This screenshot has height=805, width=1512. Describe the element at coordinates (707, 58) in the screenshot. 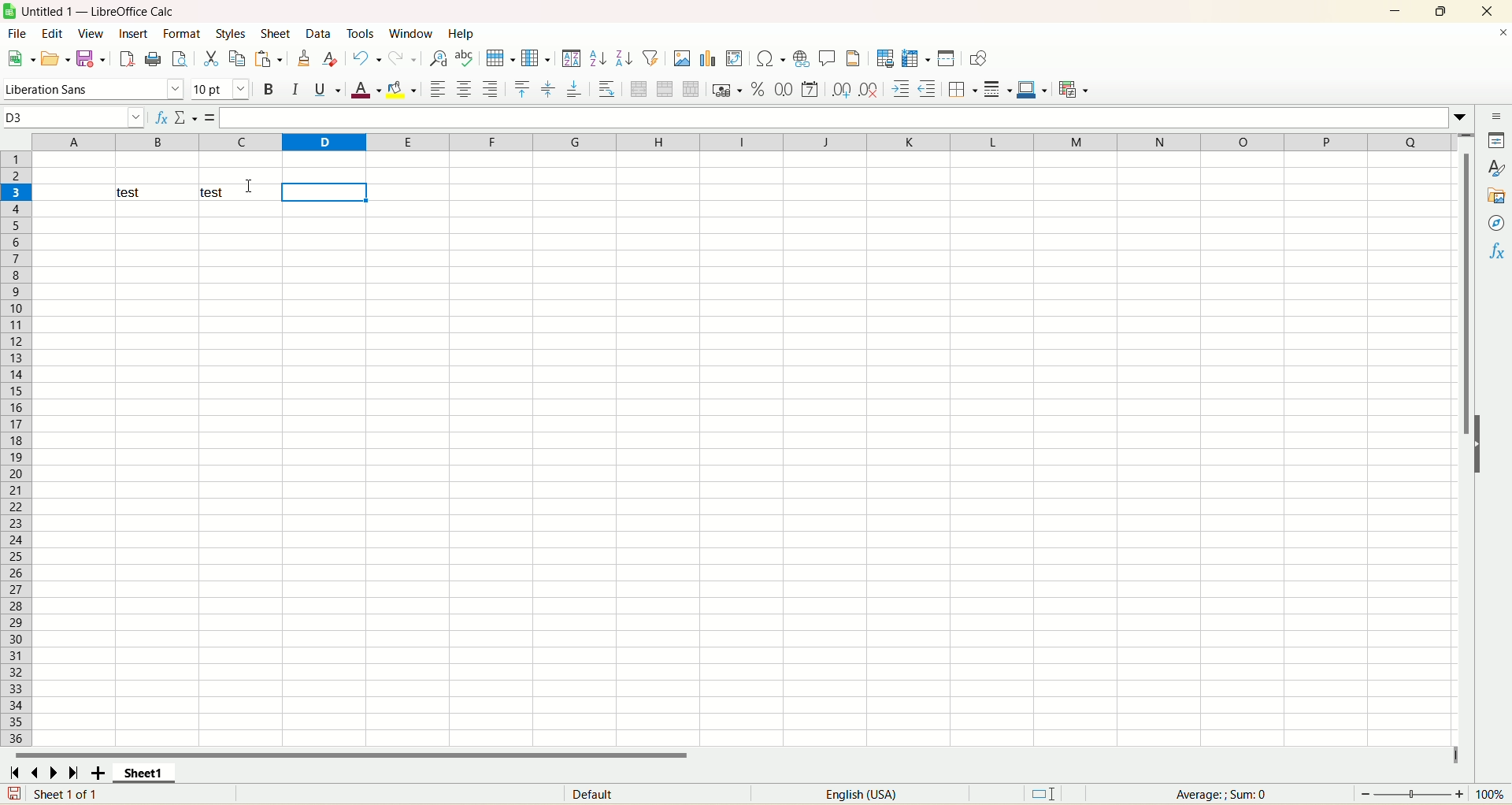

I see `insert chart` at that location.